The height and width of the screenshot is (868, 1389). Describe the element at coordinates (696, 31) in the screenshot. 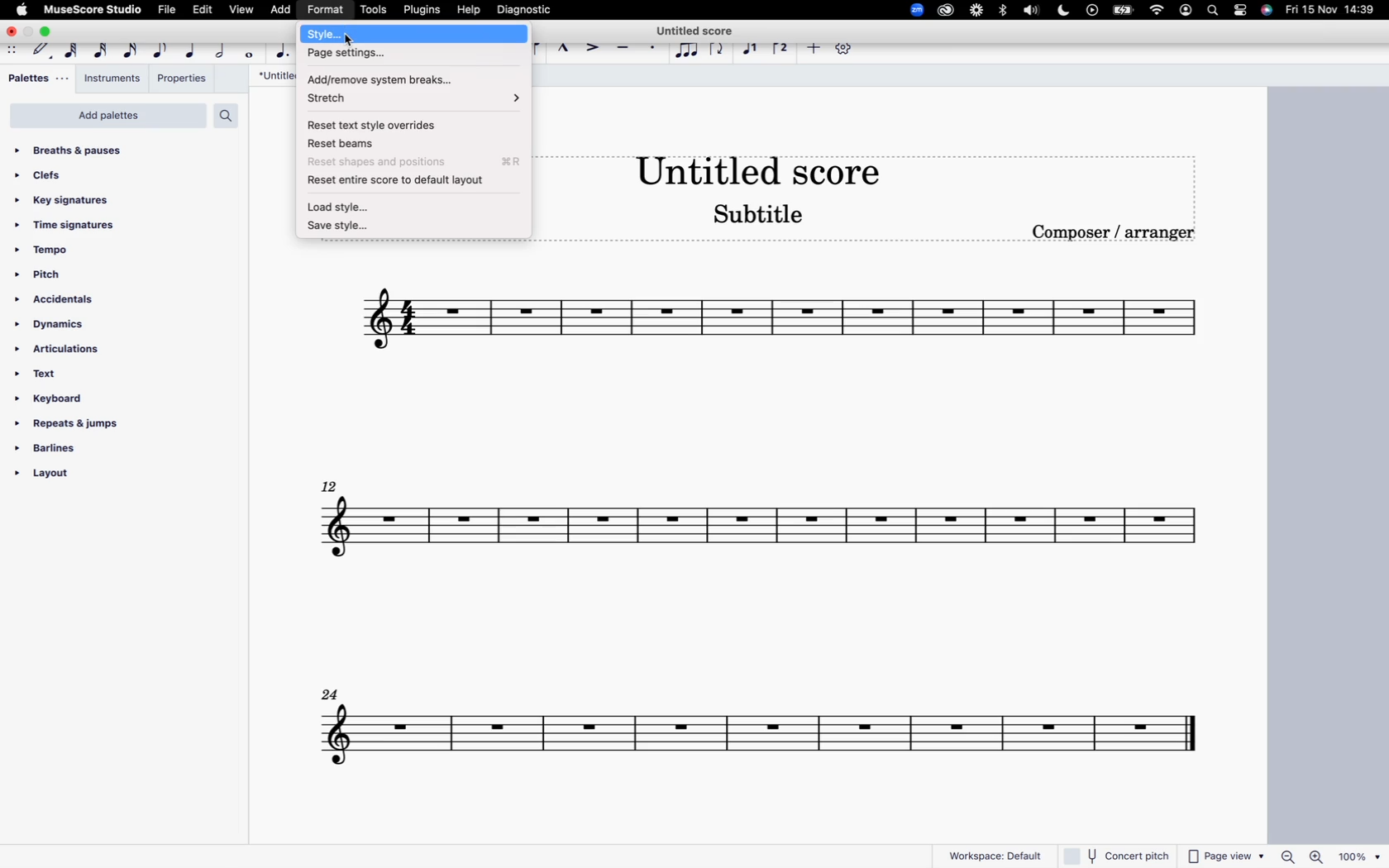

I see `Untitled score` at that location.